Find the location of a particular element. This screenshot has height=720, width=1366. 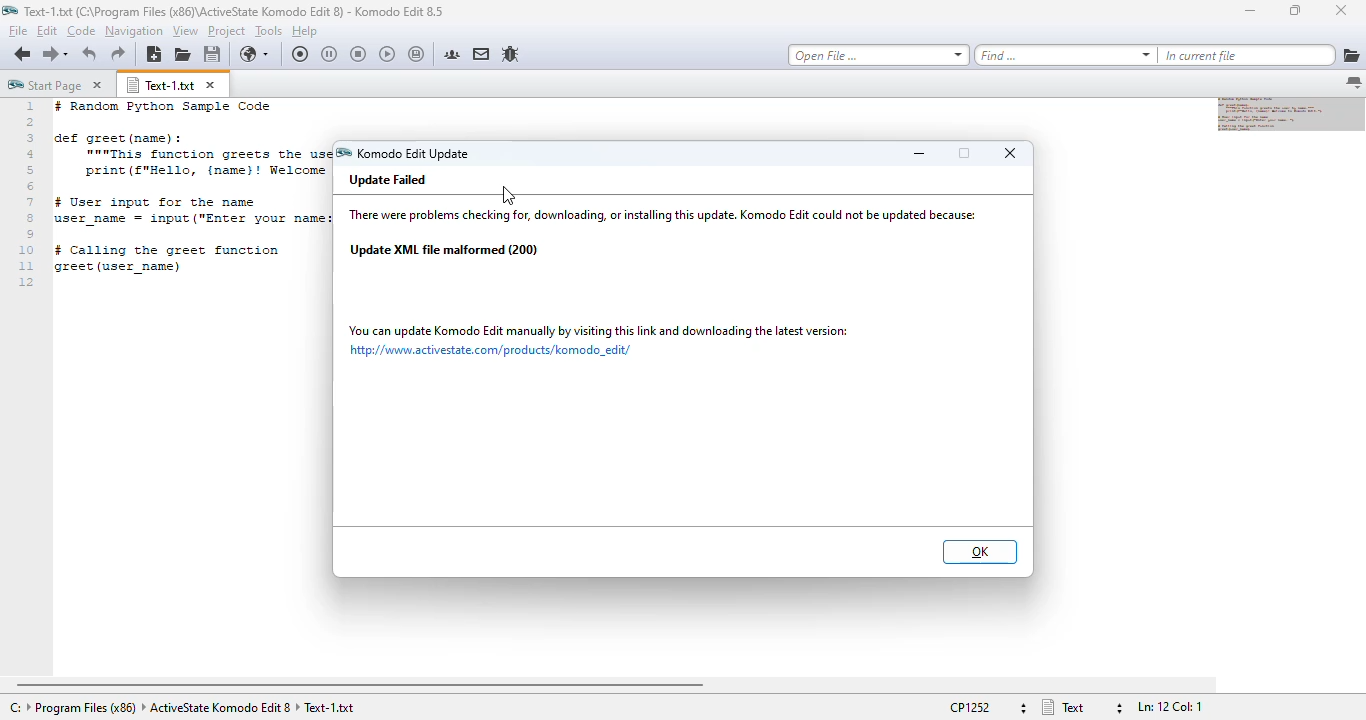

preview buffer in browser is located at coordinates (256, 55).